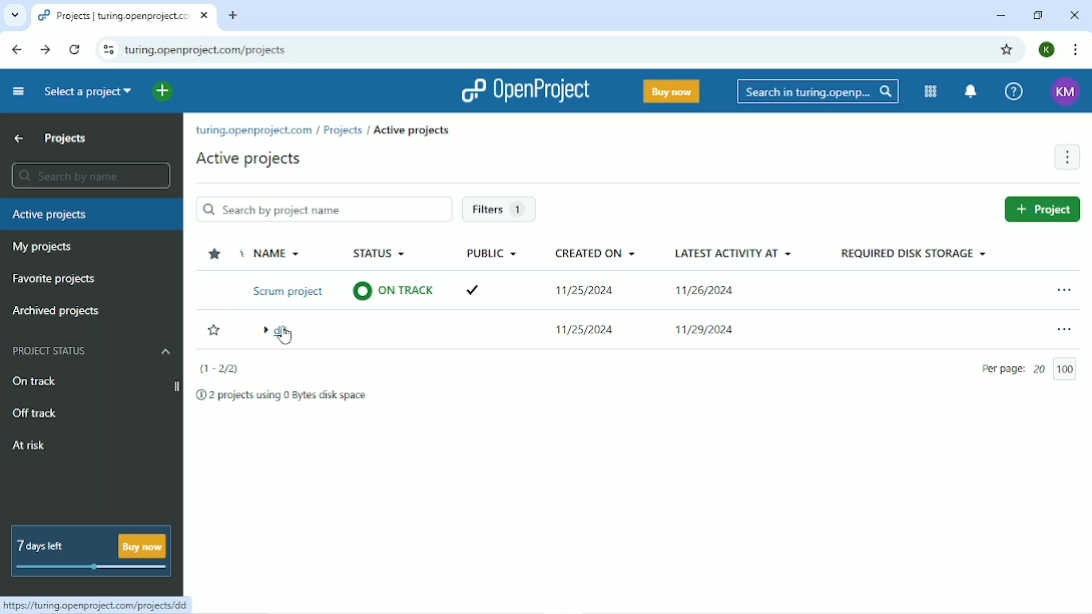 The width and height of the screenshot is (1092, 614). What do you see at coordinates (33, 414) in the screenshot?
I see `Off track` at bounding box center [33, 414].